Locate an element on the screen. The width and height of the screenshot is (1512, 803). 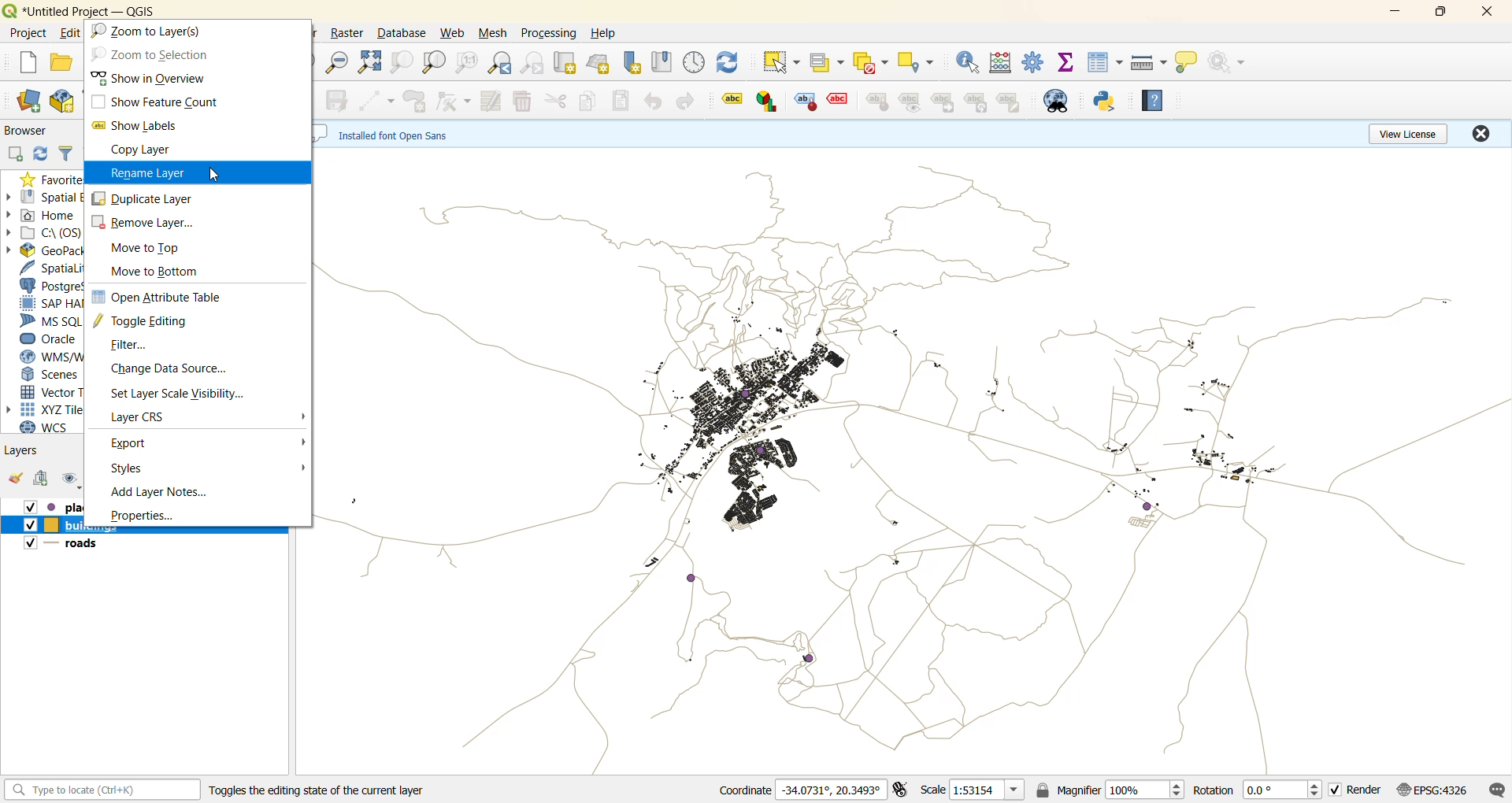
zoom next is located at coordinates (536, 62).